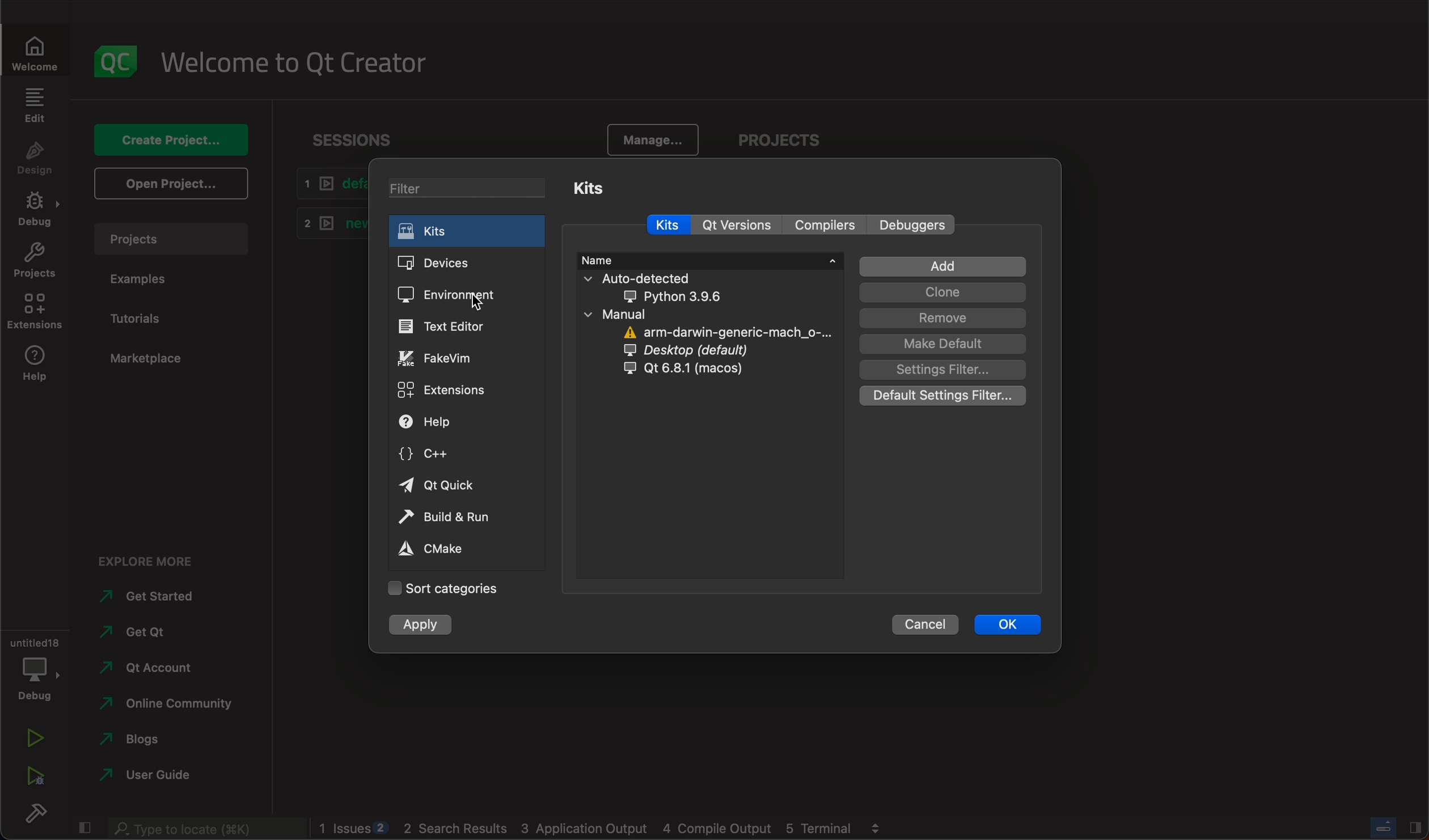 The image size is (1429, 840). Describe the element at coordinates (449, 358) in the screenshot. I see `fake vim` at that location.